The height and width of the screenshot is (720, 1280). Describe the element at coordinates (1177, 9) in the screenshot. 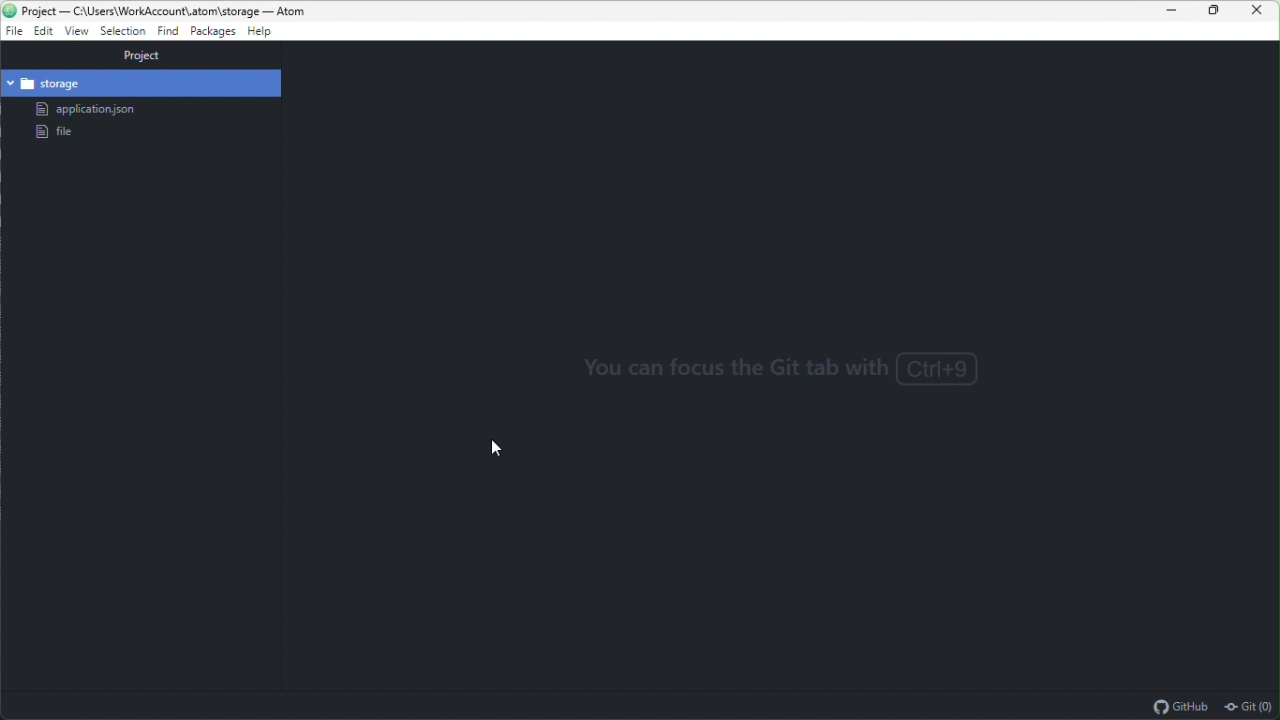

I see `Minimise` at that location.